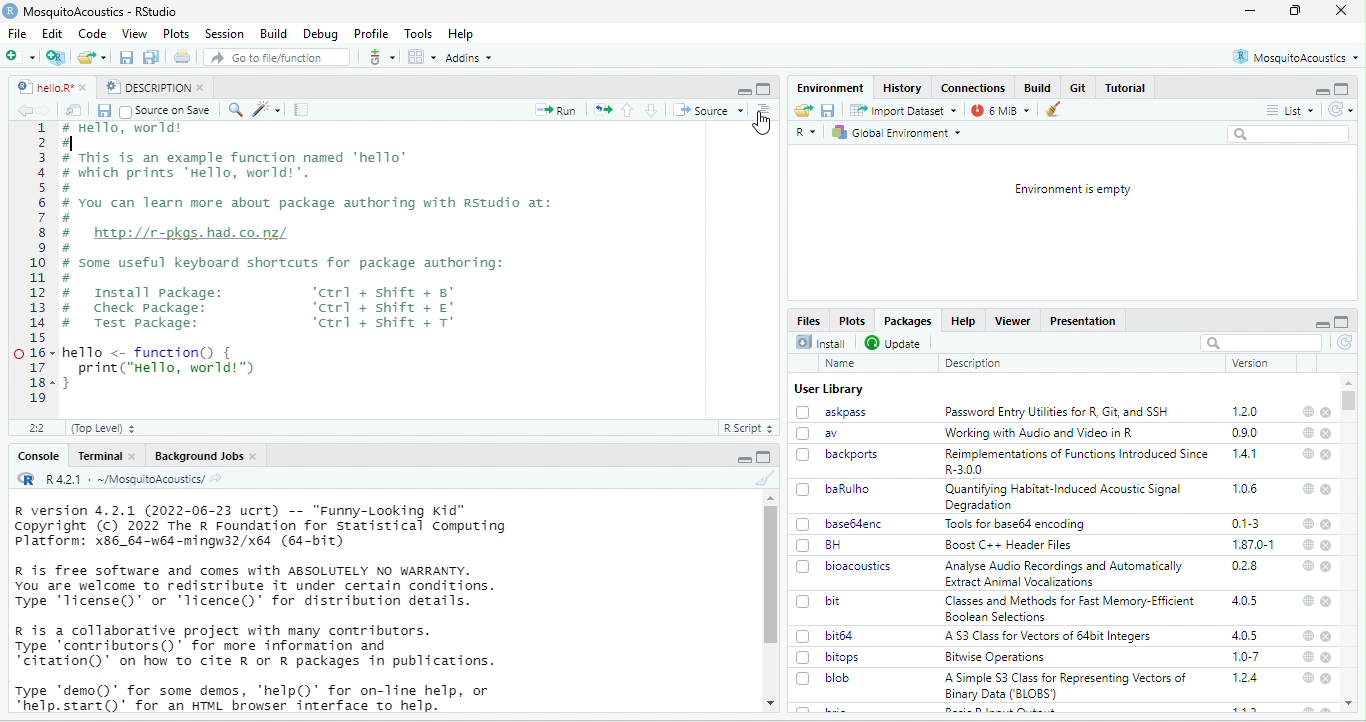 Image resolution: width=1366 pixels, height=722 pixels. Describe the element at coordinates (1064, 575) in the screenshot. I see `Analyse Audio Recordings and Automatically Extract Animal Vocalizations` at that location.